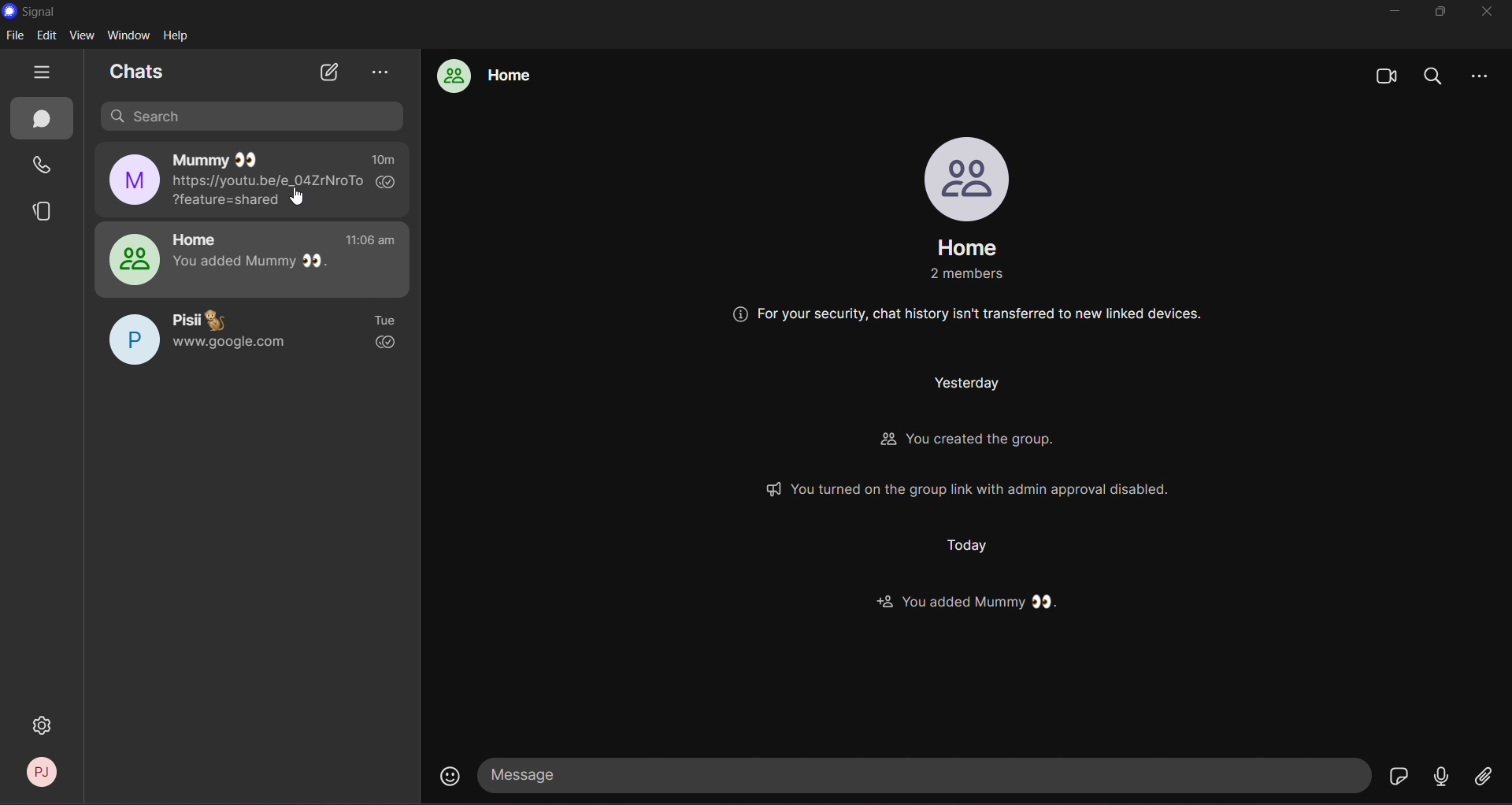  I want to click on more, so click(1485, 76).